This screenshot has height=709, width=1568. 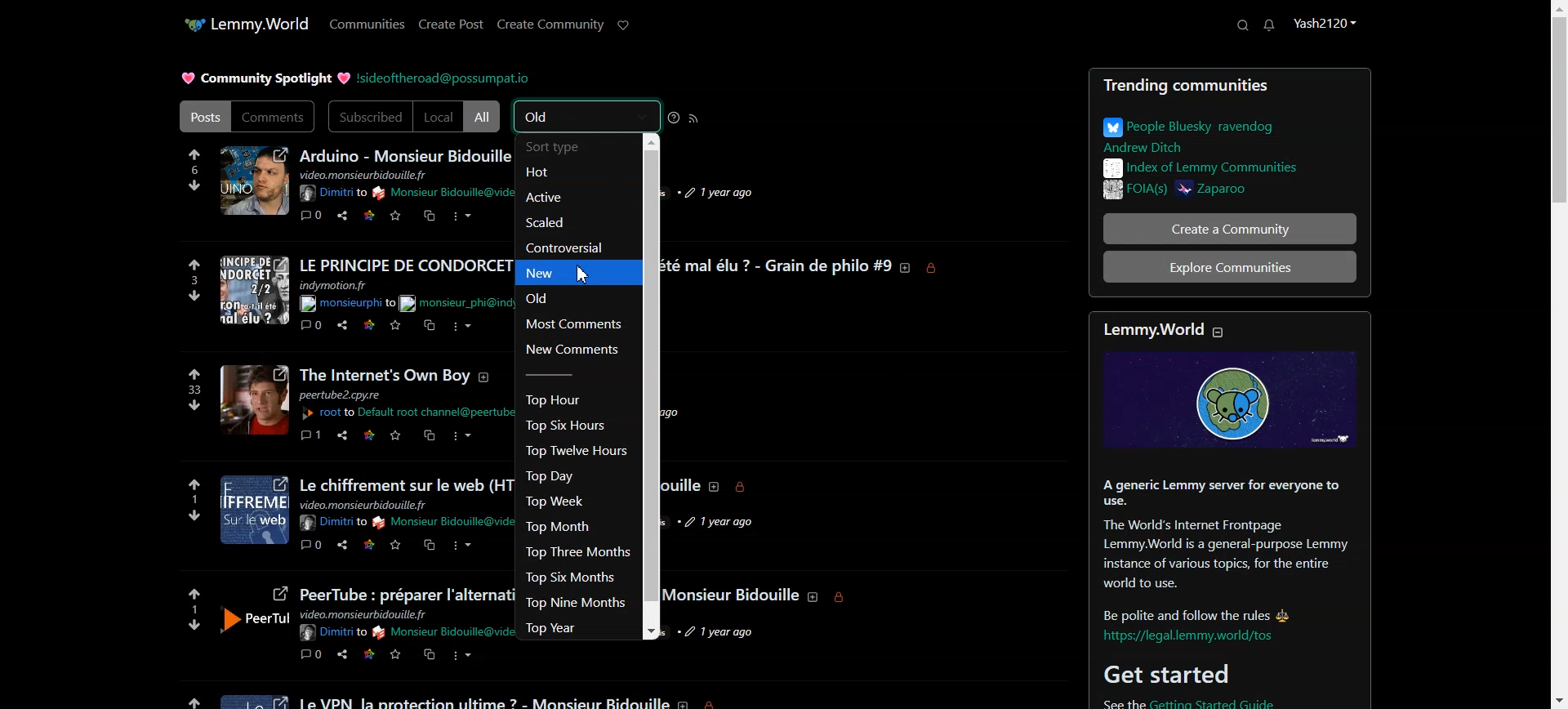 I want to click on text, so click(x=445, y=633).